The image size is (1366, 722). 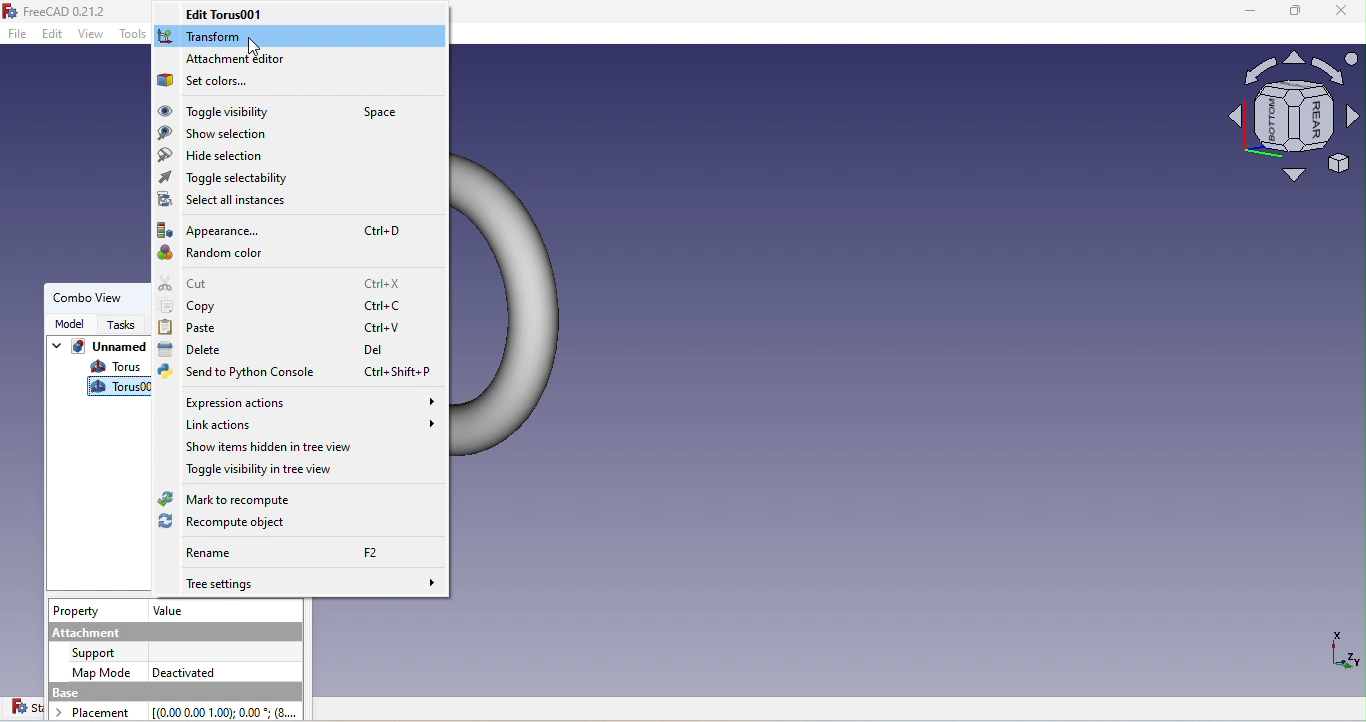 I want to click on Toggle selectability, so click(x=229, y=179).